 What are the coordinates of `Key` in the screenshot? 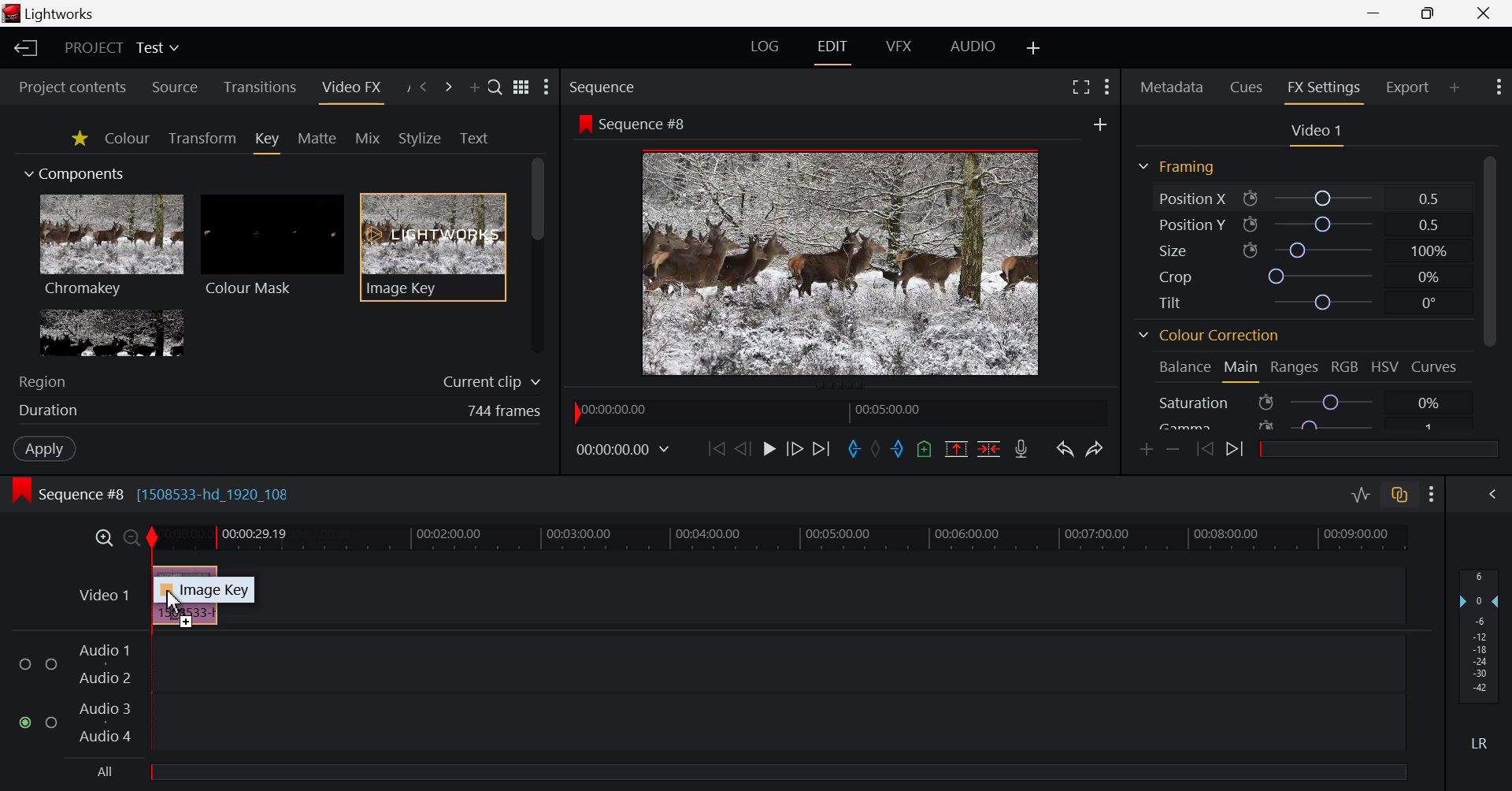 It's located at (268, 143).